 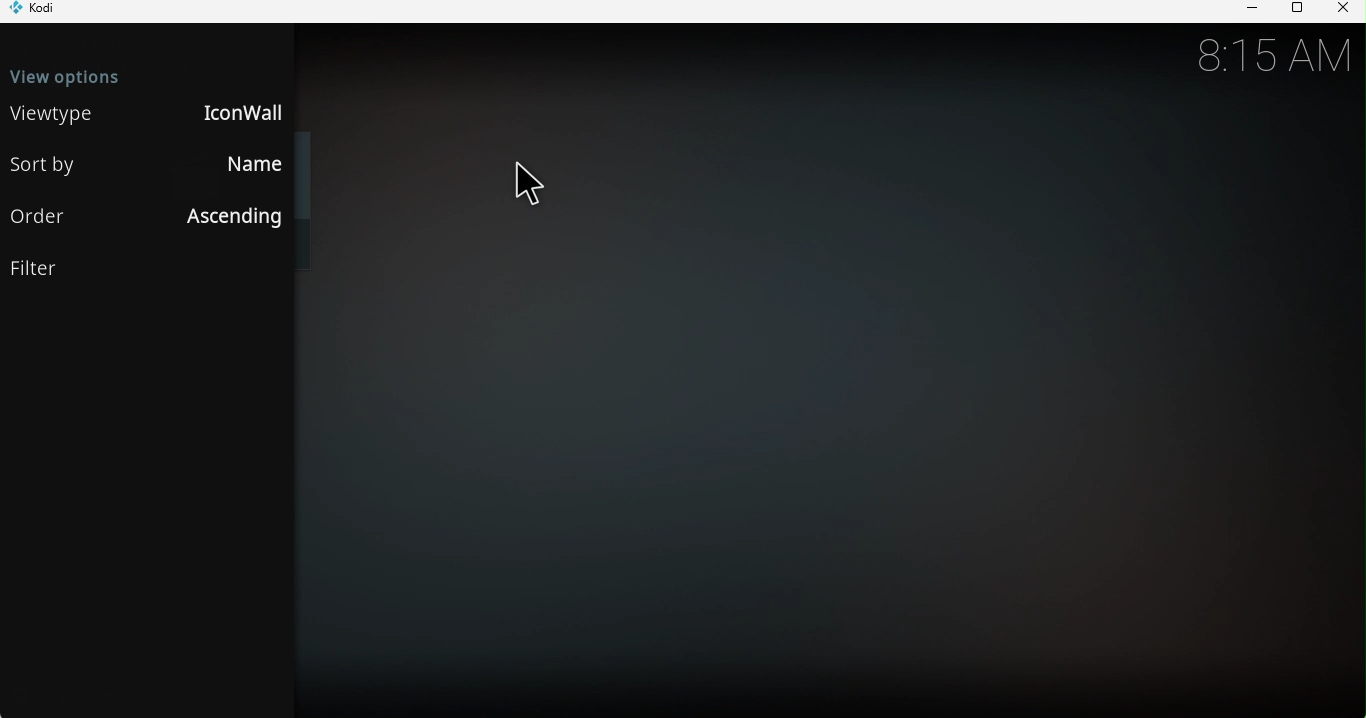 What do you see at coordinates (148, 270) in the screenshot?
I see `Filter` at bounding box center [148, 270].